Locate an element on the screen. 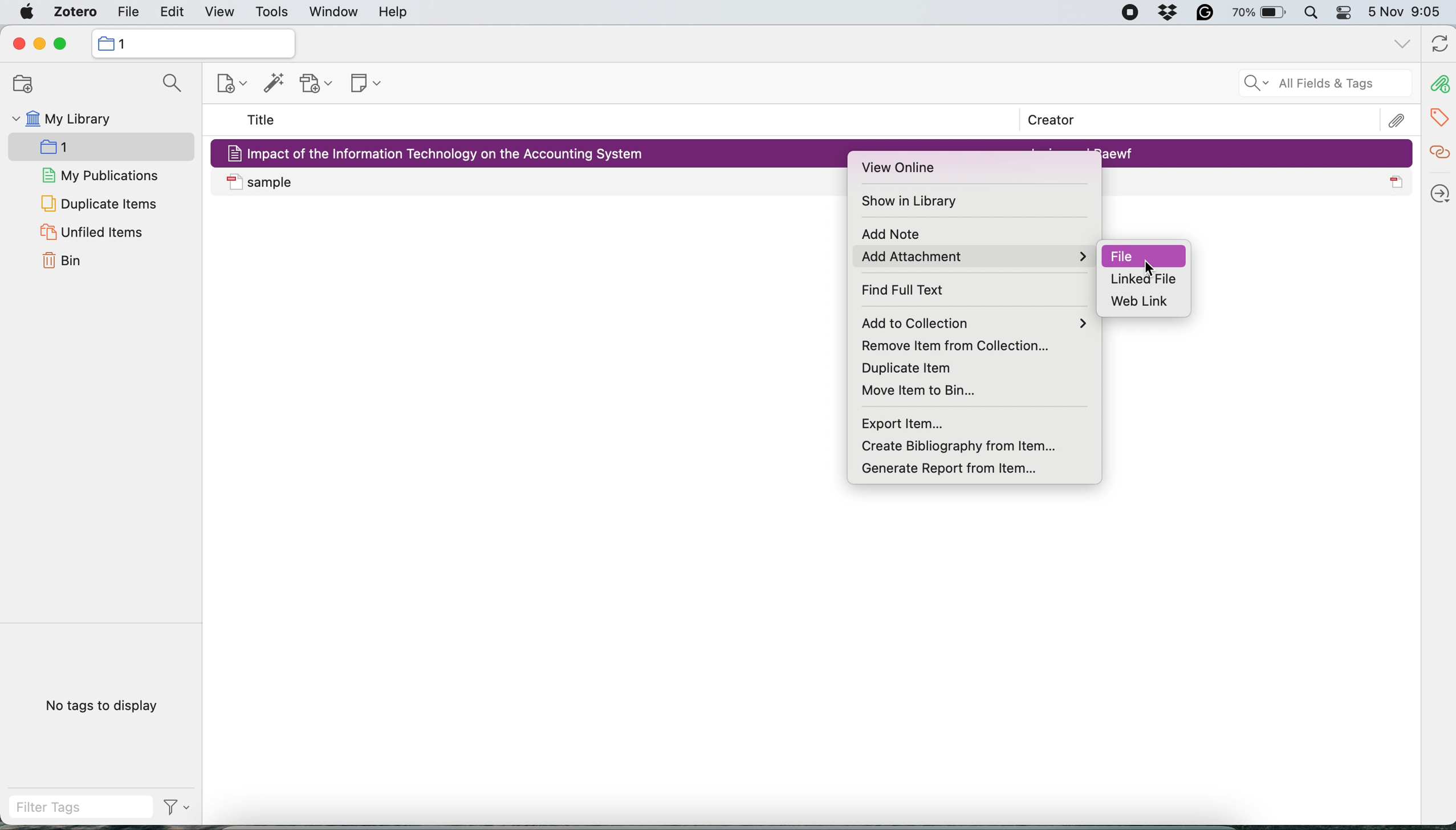  sample is located at coordinates (531, 182).